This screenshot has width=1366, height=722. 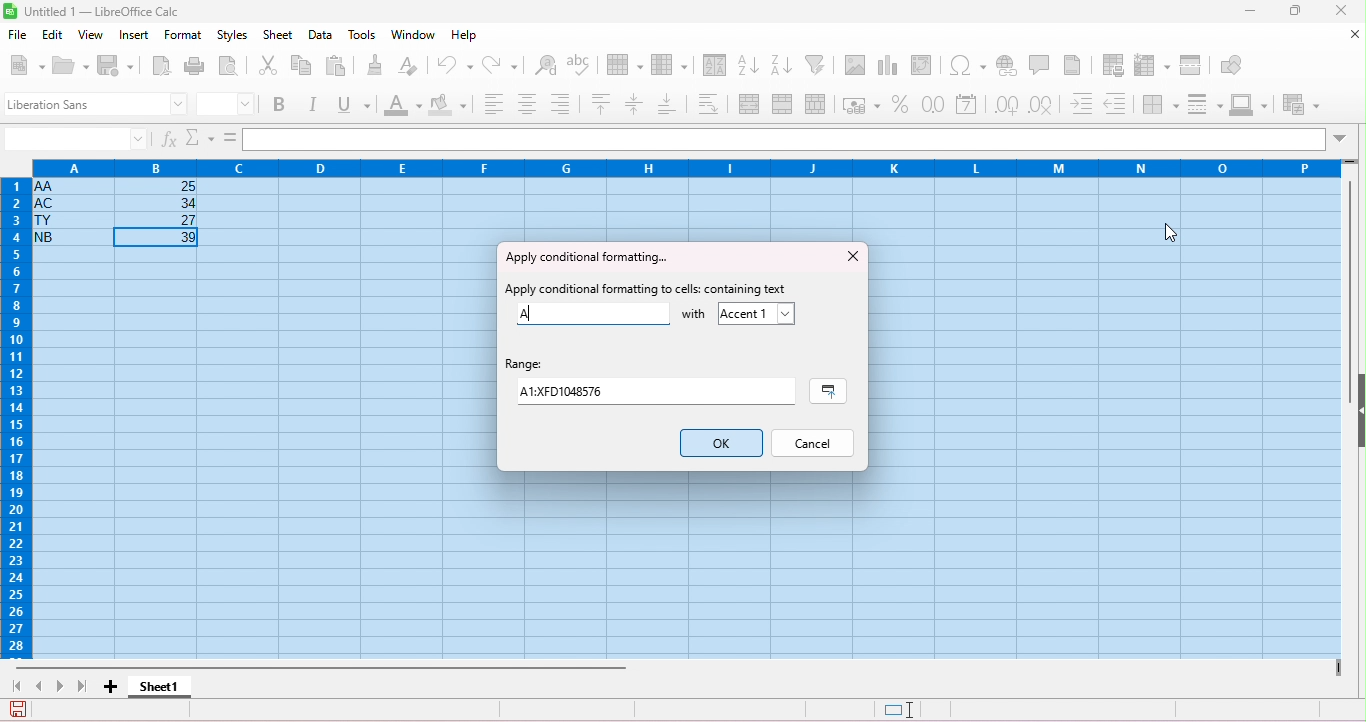 What do you see at coordinates (1042, 64) in the screenshot?
I see `insert comment` at bounding box center [1042, 64].